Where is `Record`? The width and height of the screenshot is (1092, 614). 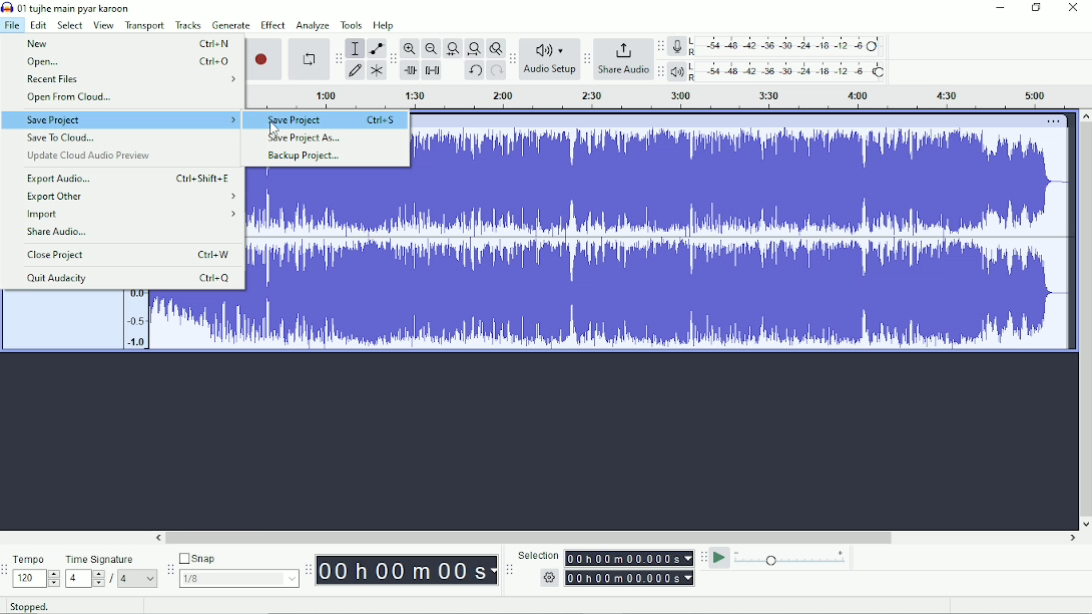
Record is located at coordinates (266, 58).